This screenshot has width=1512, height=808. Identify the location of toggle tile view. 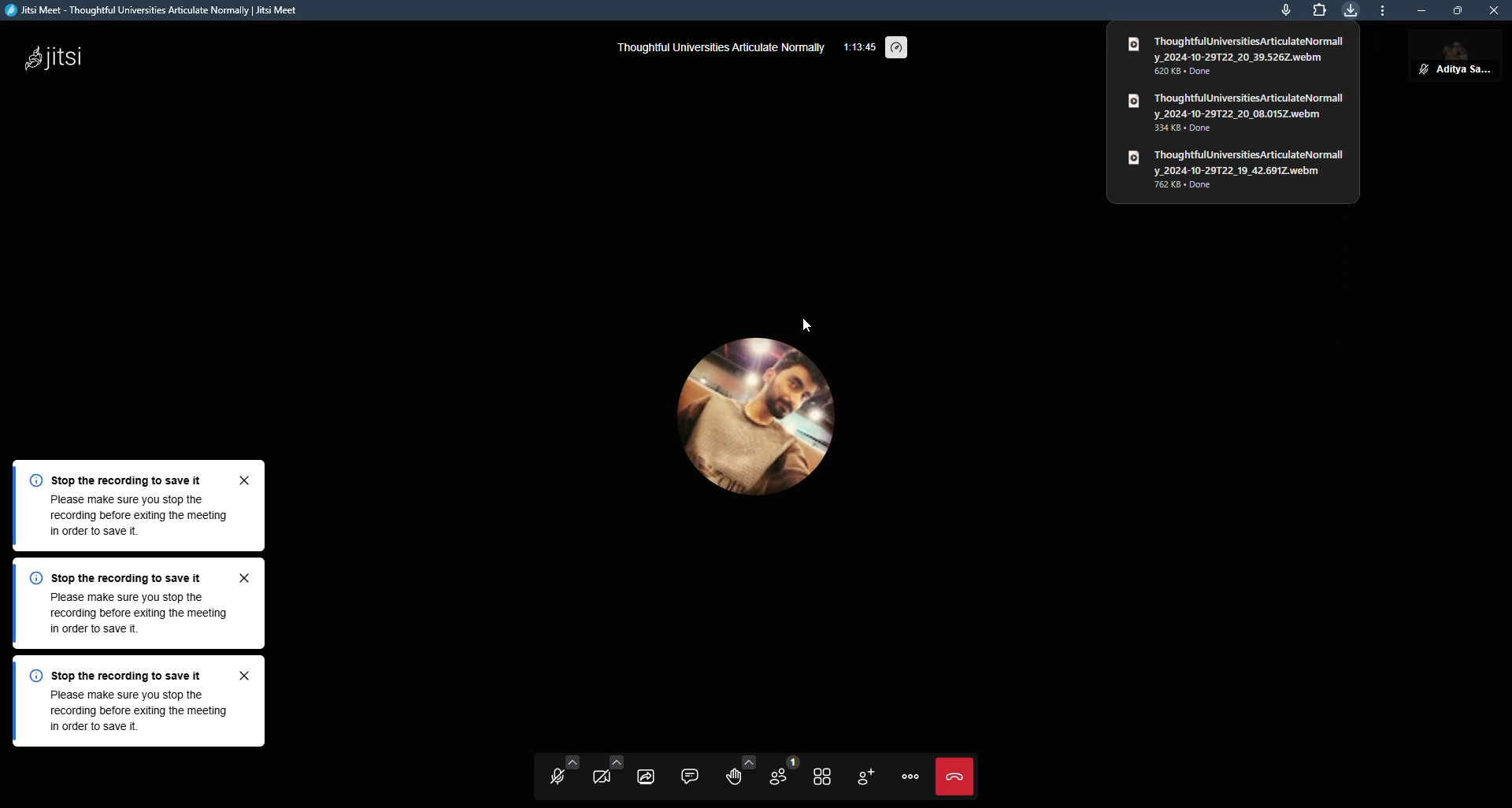
(819, 774).